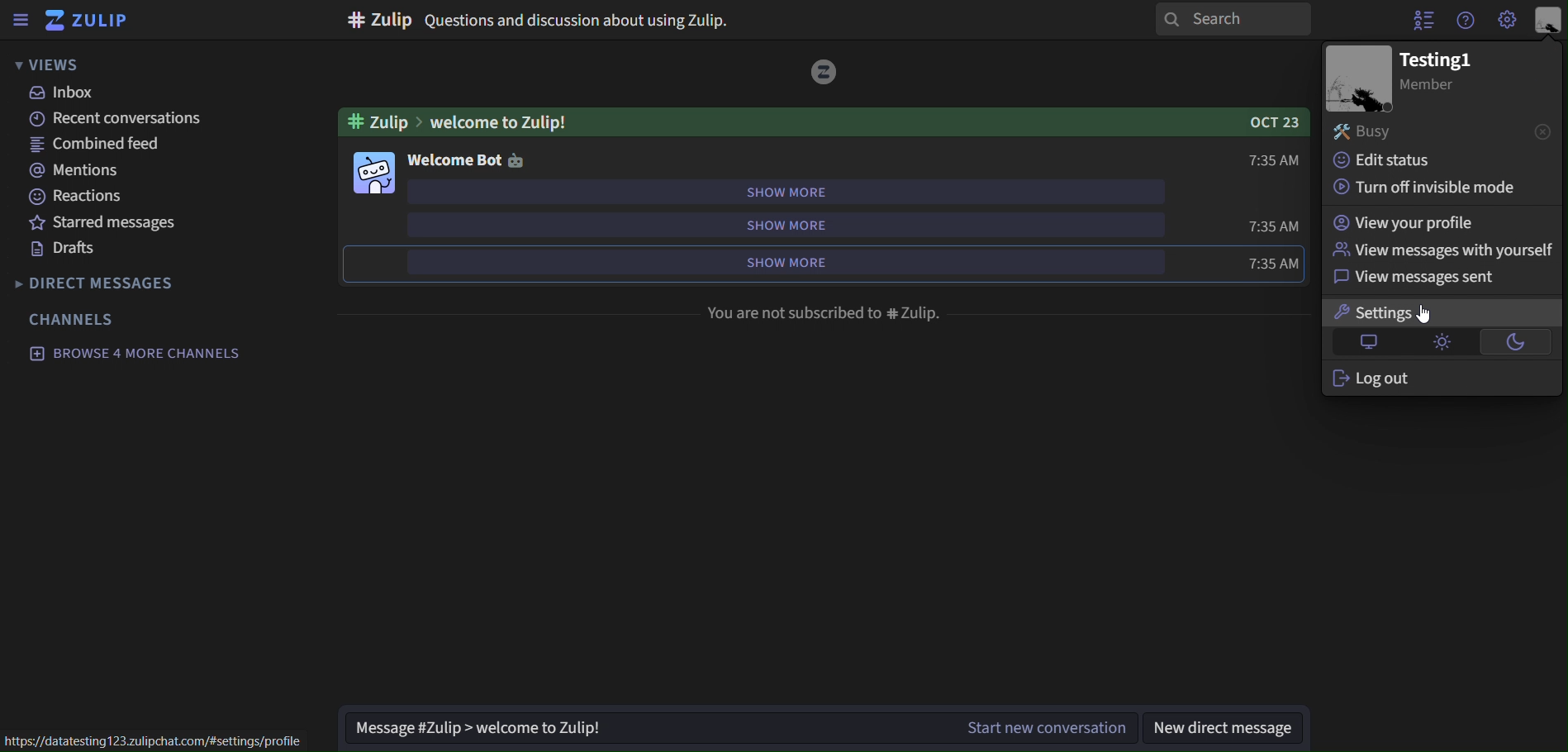 This screenshot has height=752, width=1568. I want to click on view messages with yourself, so click(1443, 250).